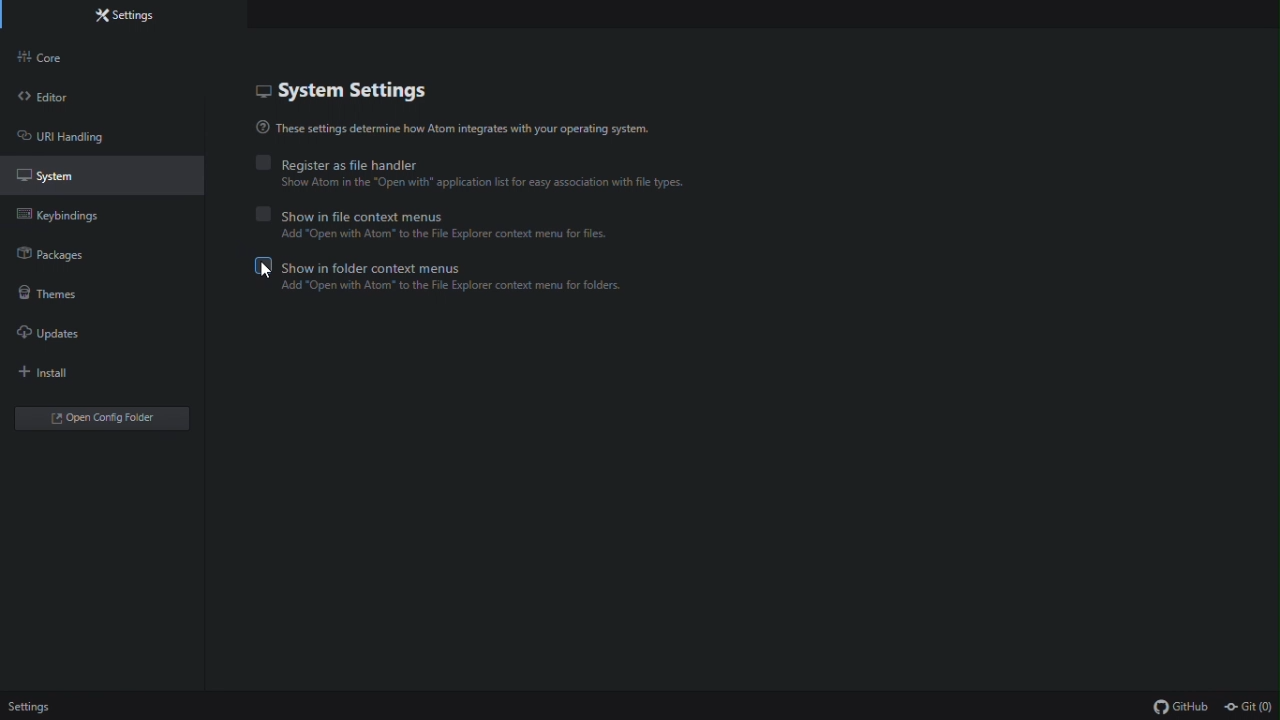 This screenshot has height=720, width=1280. Describe the element at coordinates (97, 98) in the screenshot. I see `Editor` at that location.